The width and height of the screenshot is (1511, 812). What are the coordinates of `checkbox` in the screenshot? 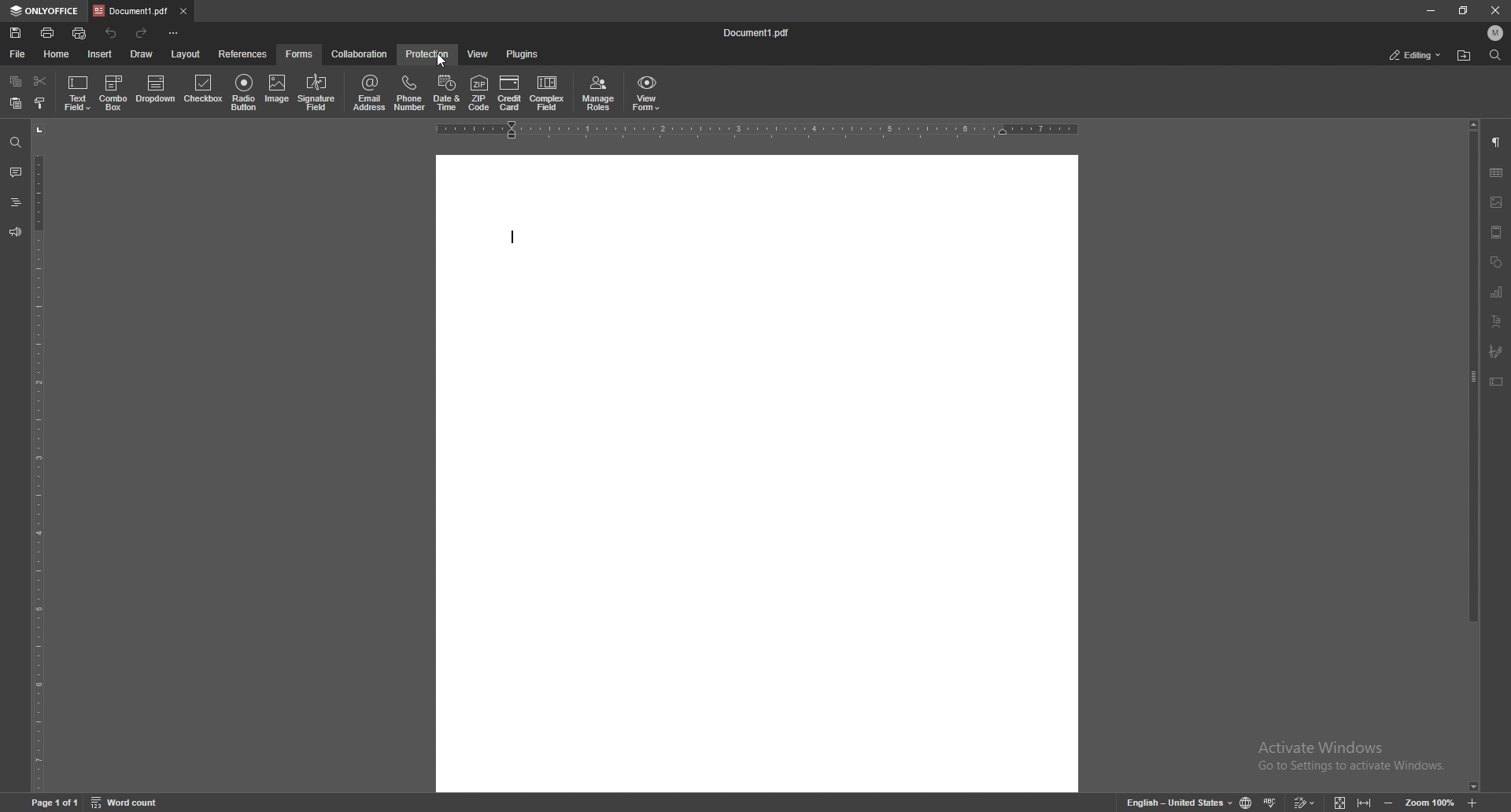 It's located at (205, 91).